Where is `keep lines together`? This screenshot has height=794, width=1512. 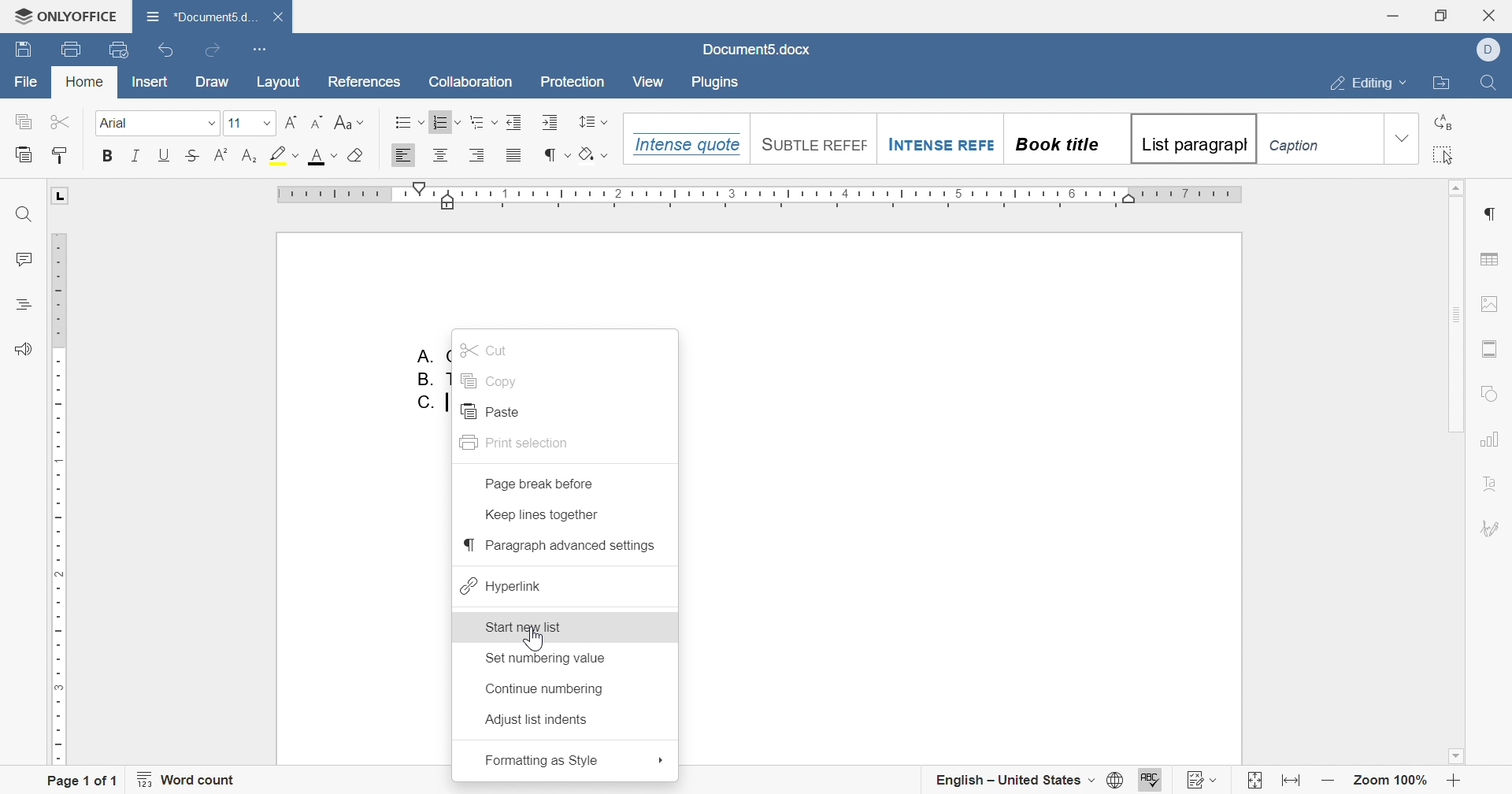 keep lines together is located at coordinates (541, 516).